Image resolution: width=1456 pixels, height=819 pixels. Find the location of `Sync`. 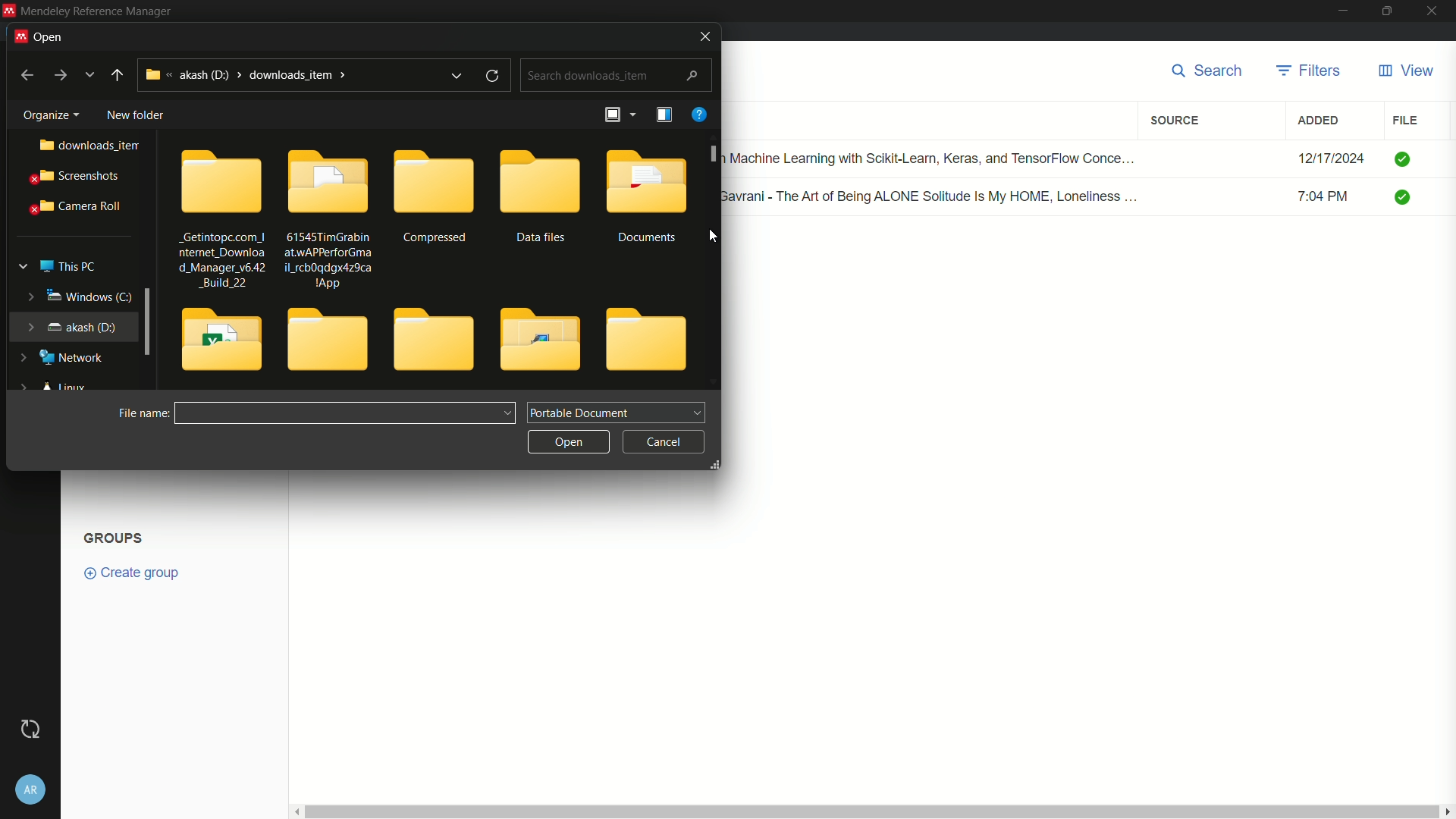

Sync is located at coordinates (30, 729).